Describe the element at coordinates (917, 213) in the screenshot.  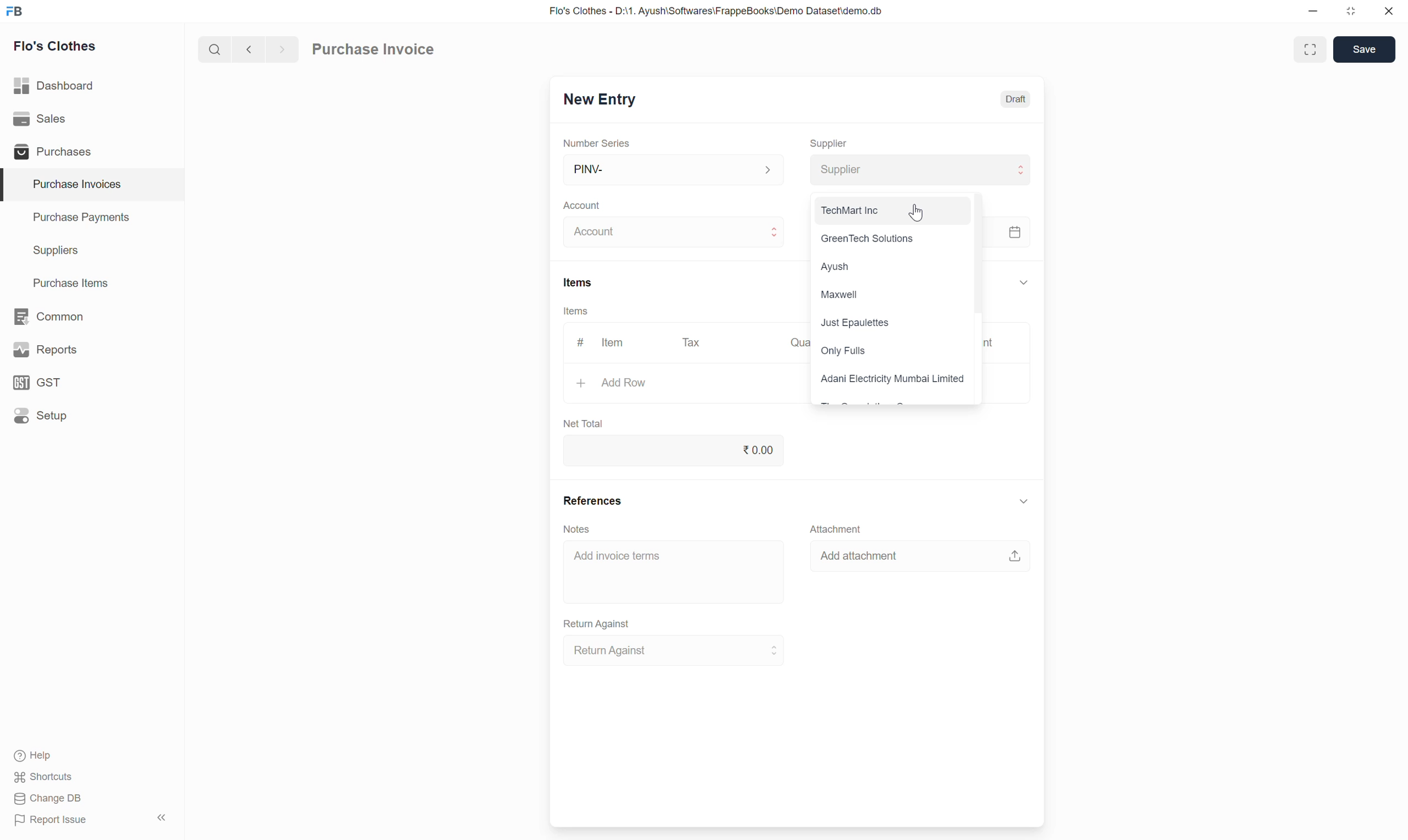
I see `Cursor` at that location.